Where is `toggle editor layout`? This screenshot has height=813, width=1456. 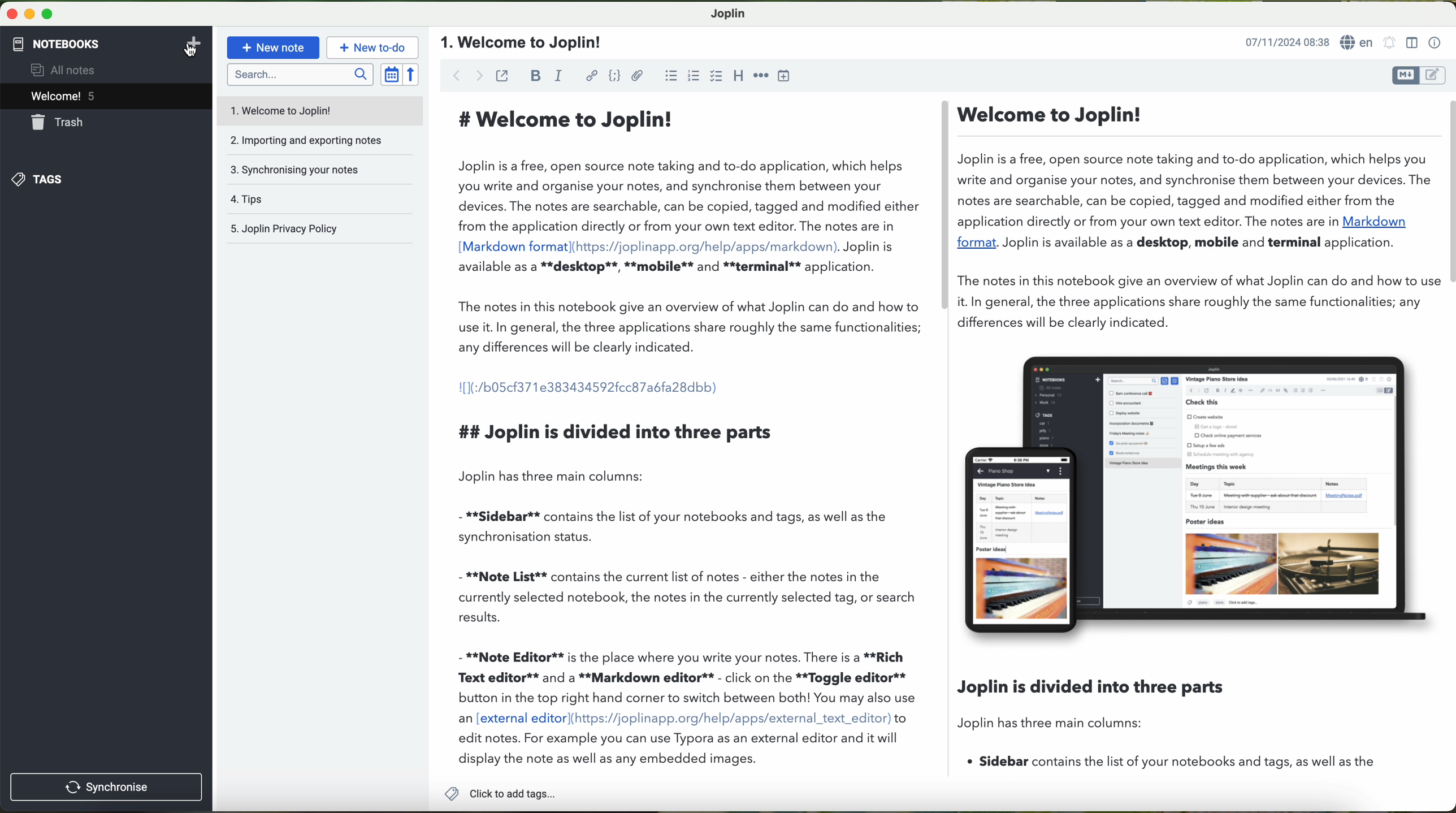 toggle editor layout is located at coordinates (1411, 43).